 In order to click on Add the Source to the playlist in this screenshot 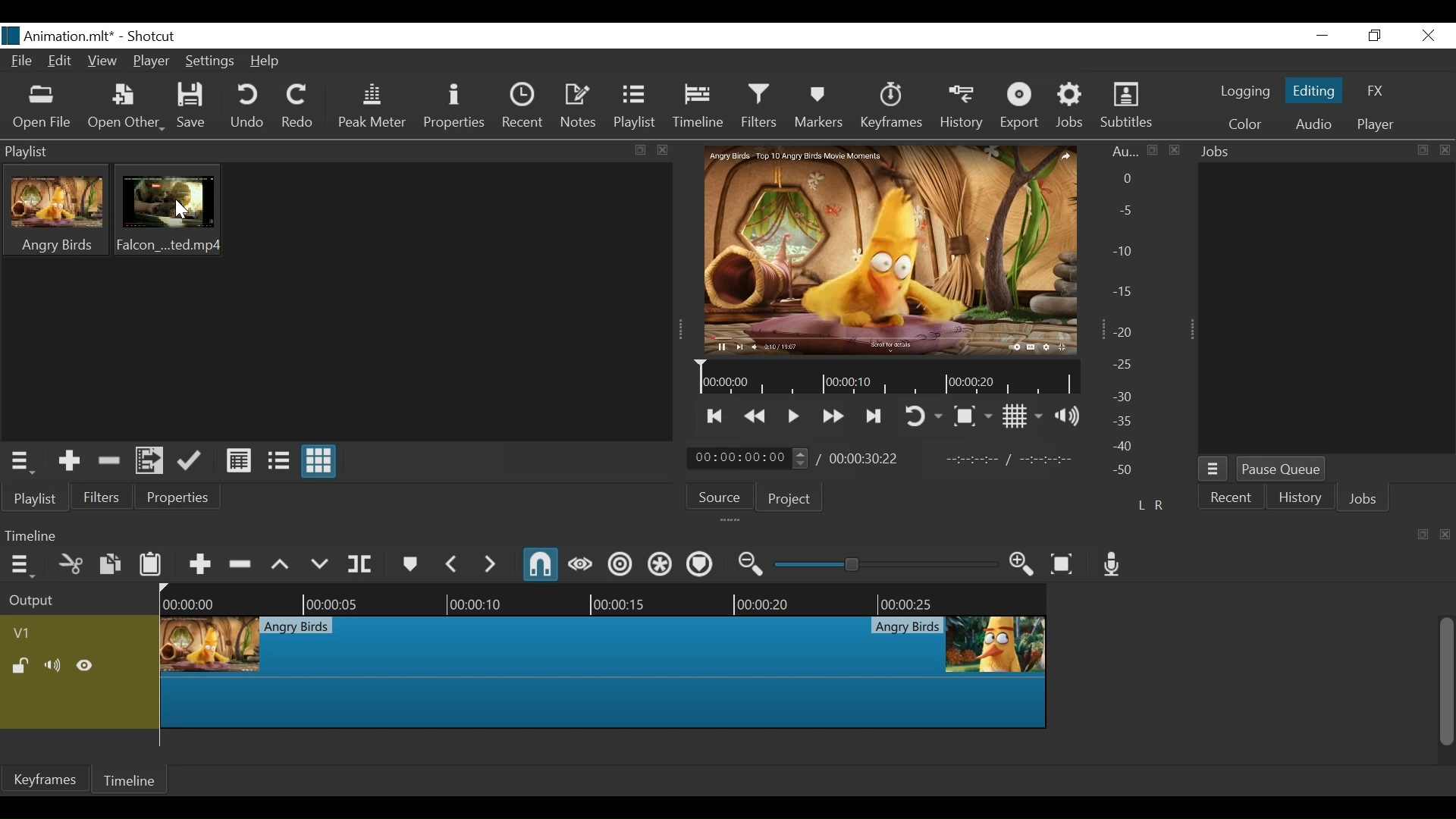, I will do `click(67, 460)`.